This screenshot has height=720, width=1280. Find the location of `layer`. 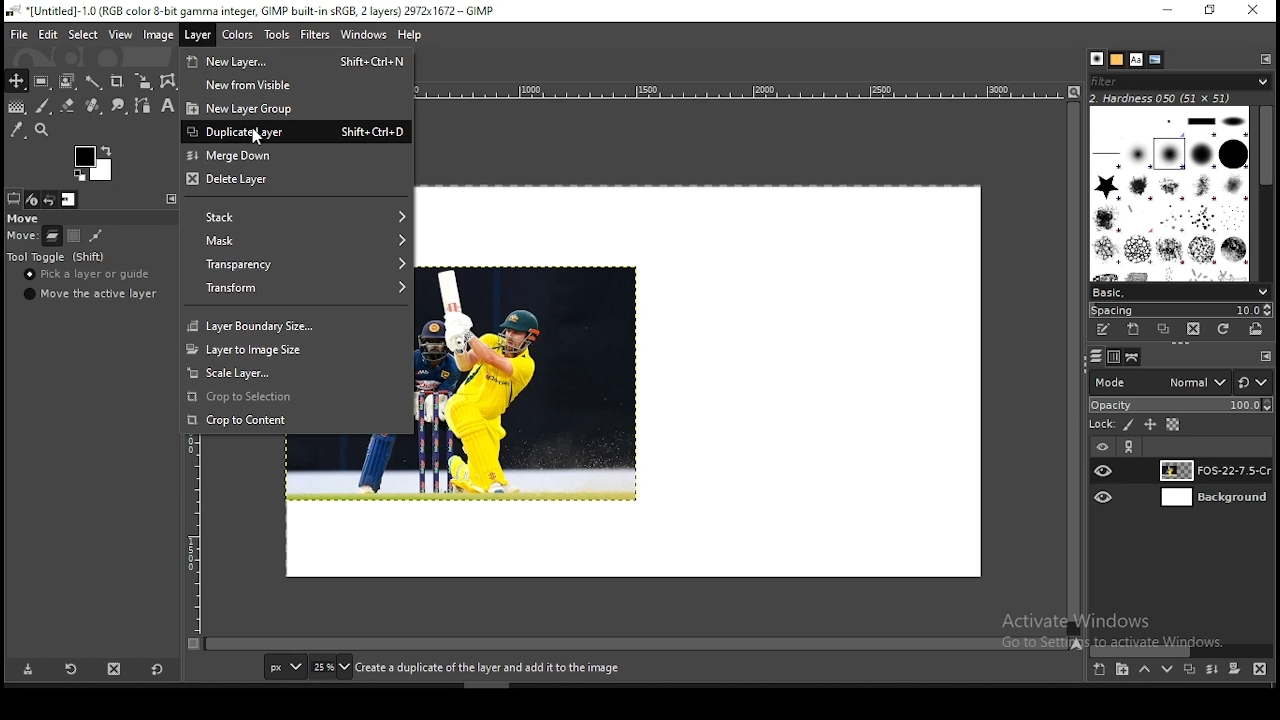

layer is located at coordinates (196, 36).